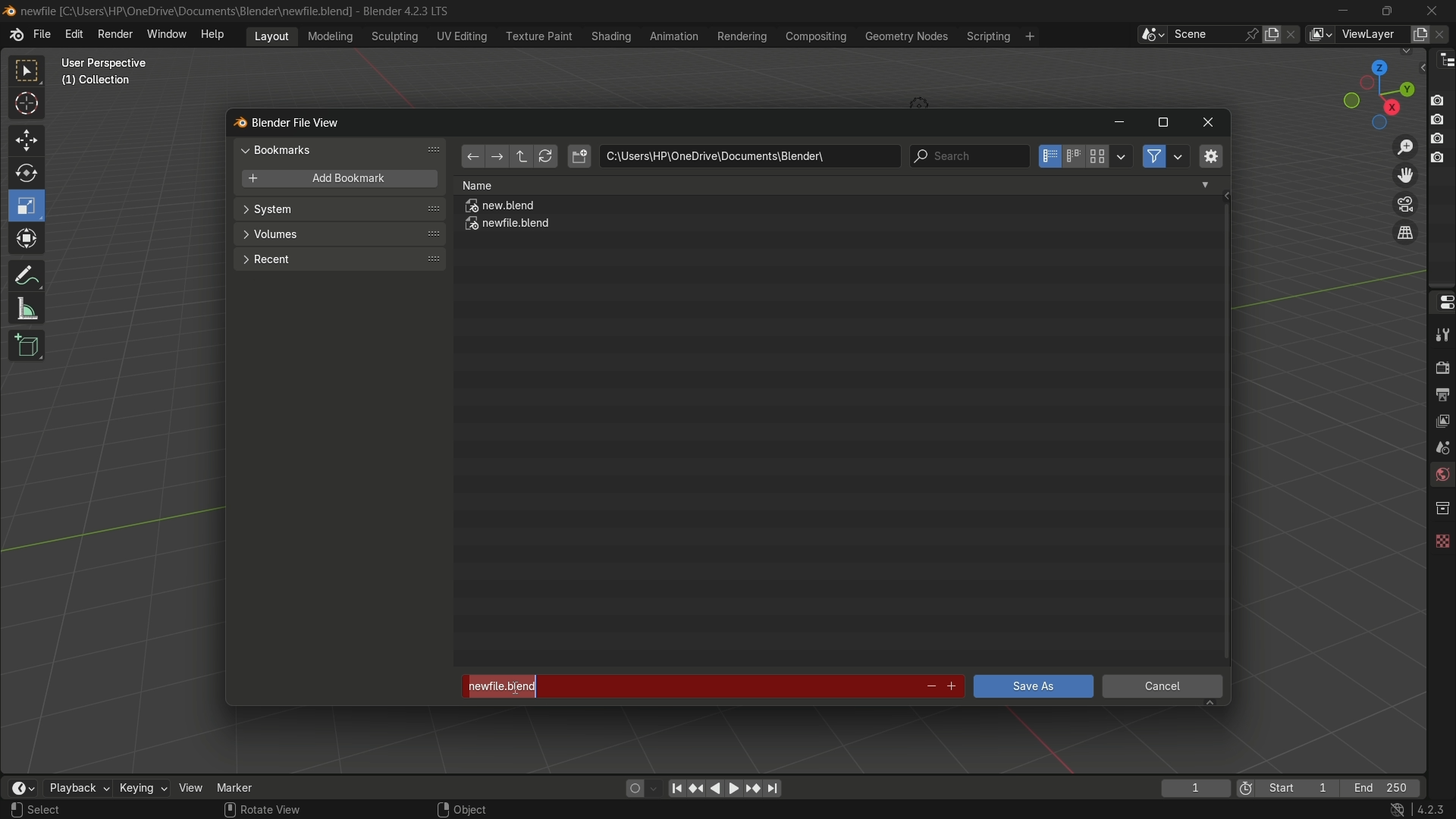 The image size is (1456, 819). Describe the element at coordinates (462, 36) in the screenshot. I see `uv editing menu` at that location.